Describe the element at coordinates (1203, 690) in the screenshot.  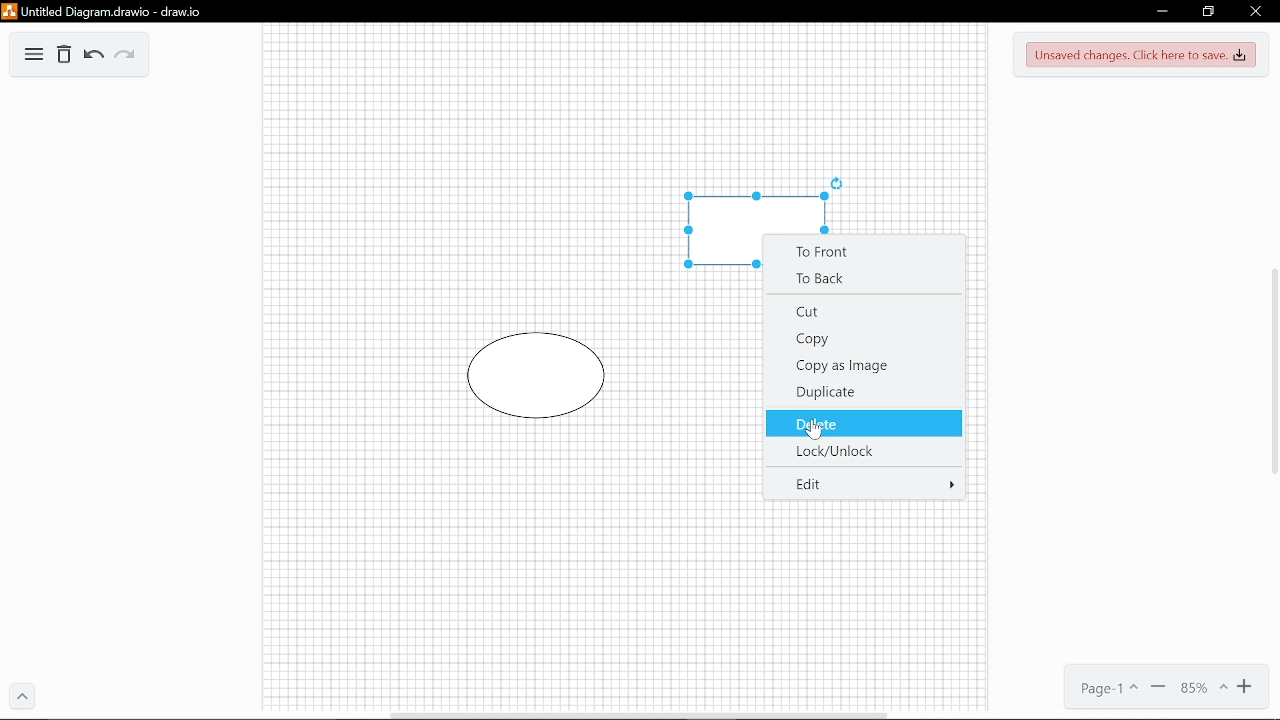
I see `Current zoom (85%)` at that location.